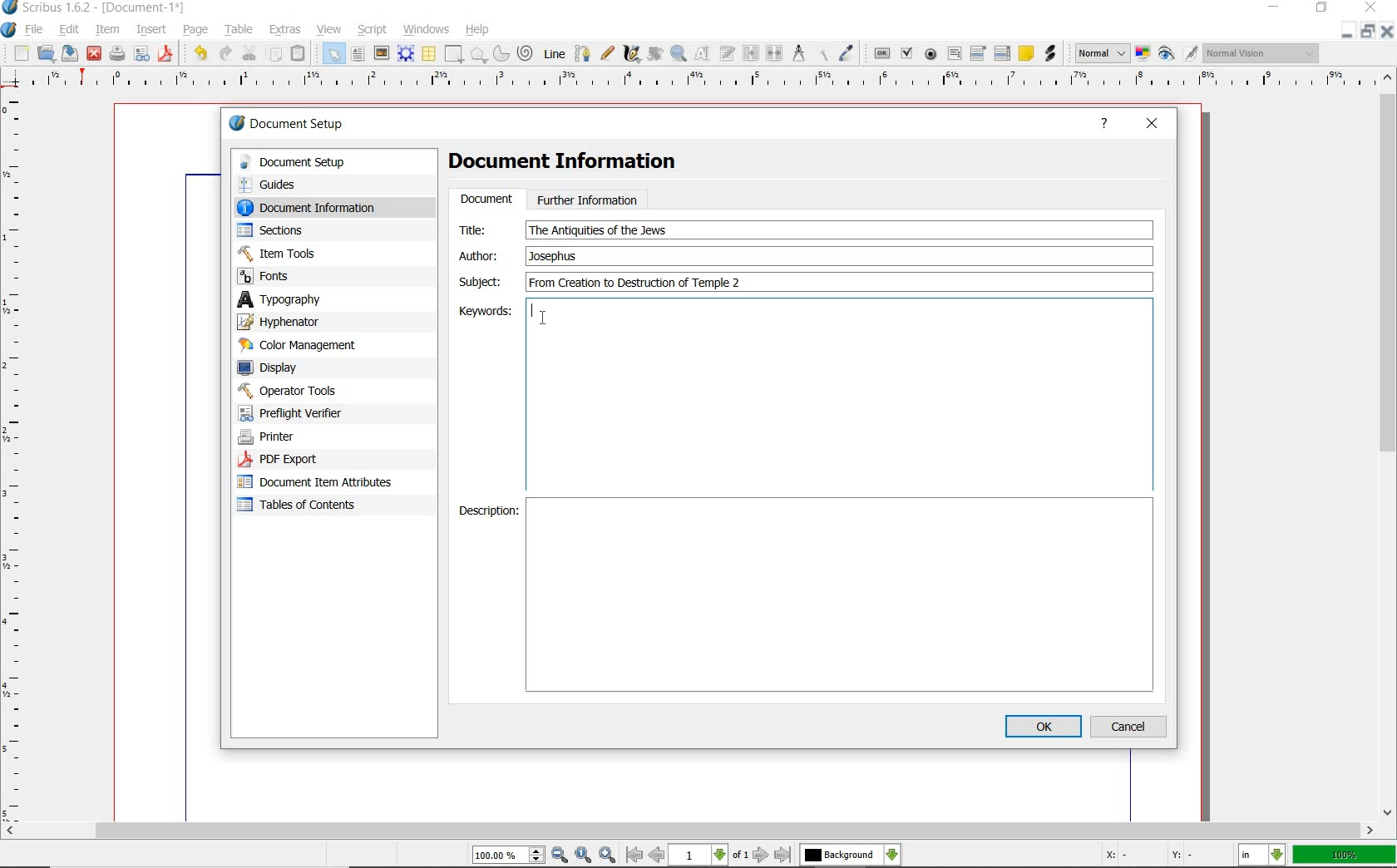 The width and height of the screenshot is (1397, 868). I want to click on display, so click(297, 367).